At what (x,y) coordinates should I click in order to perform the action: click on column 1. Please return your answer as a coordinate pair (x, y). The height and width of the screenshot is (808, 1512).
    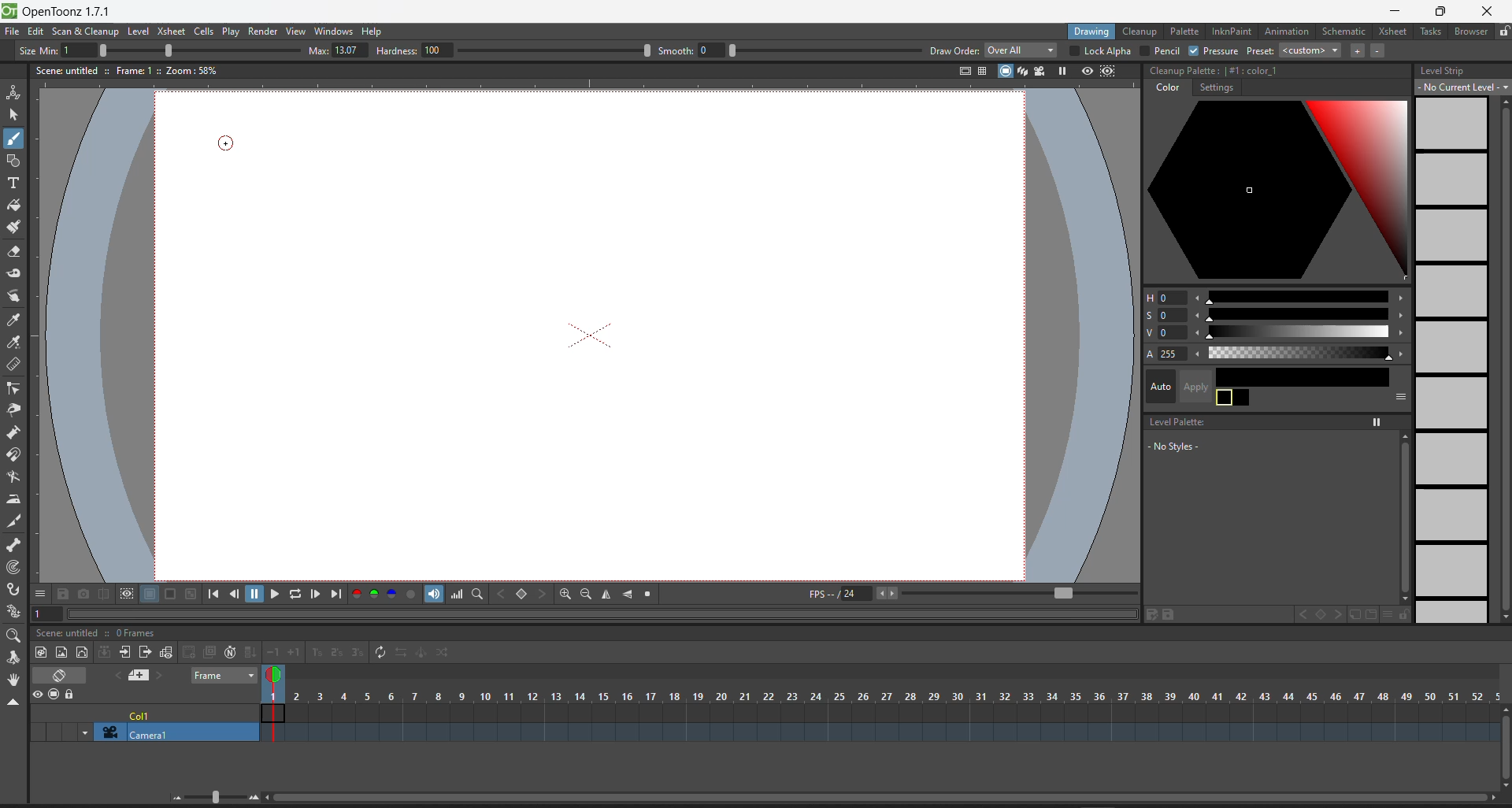
    Looking at the image, I should click on (171, 710).